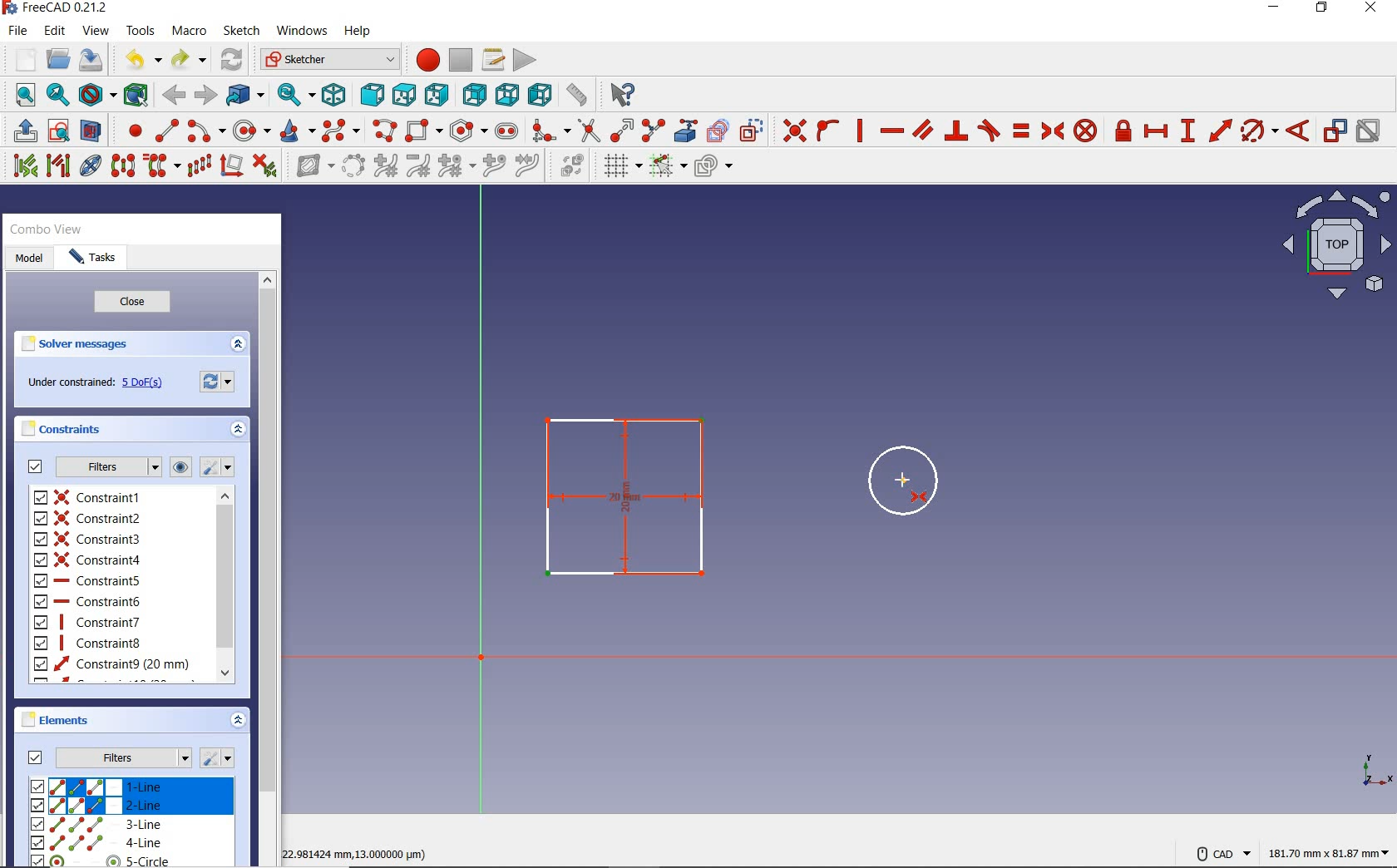 This screenshot has width=1397, height=868. Describe the element at coordinates (861, 132) in the screenshot. I see `constrain vertically` at that location.